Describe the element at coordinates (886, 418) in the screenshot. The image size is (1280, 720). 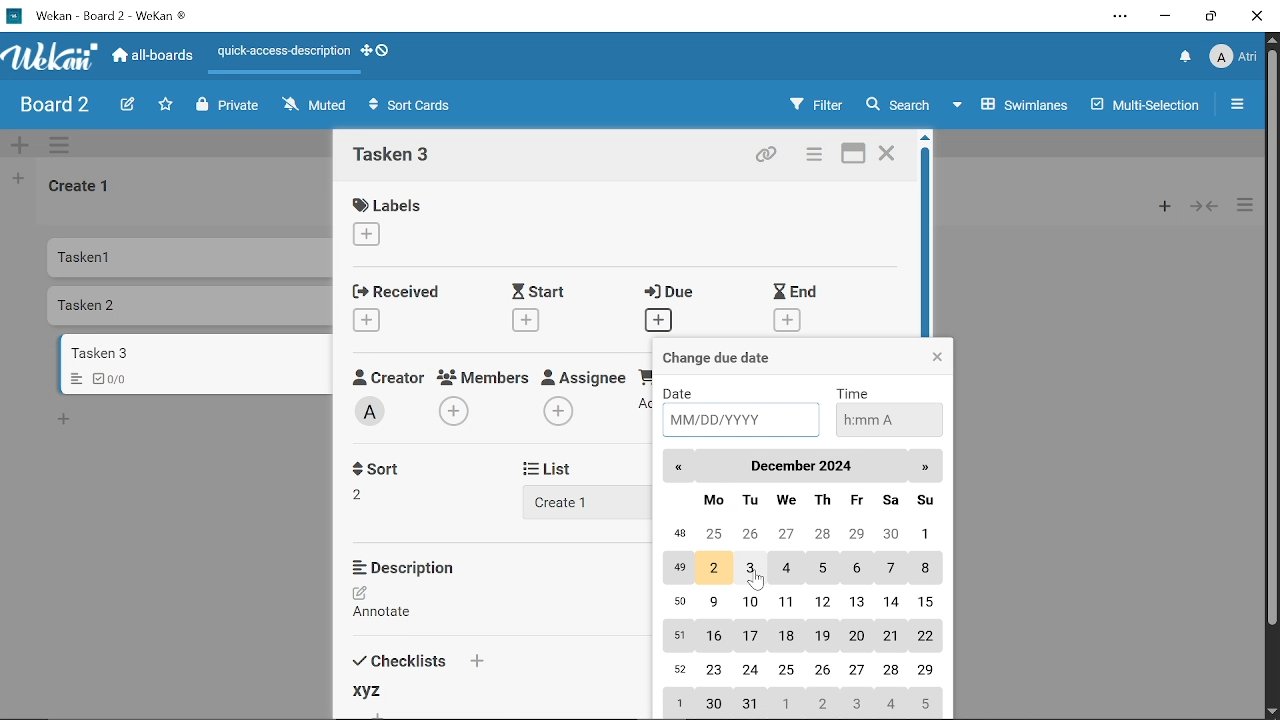
I see `Add time` at that location.